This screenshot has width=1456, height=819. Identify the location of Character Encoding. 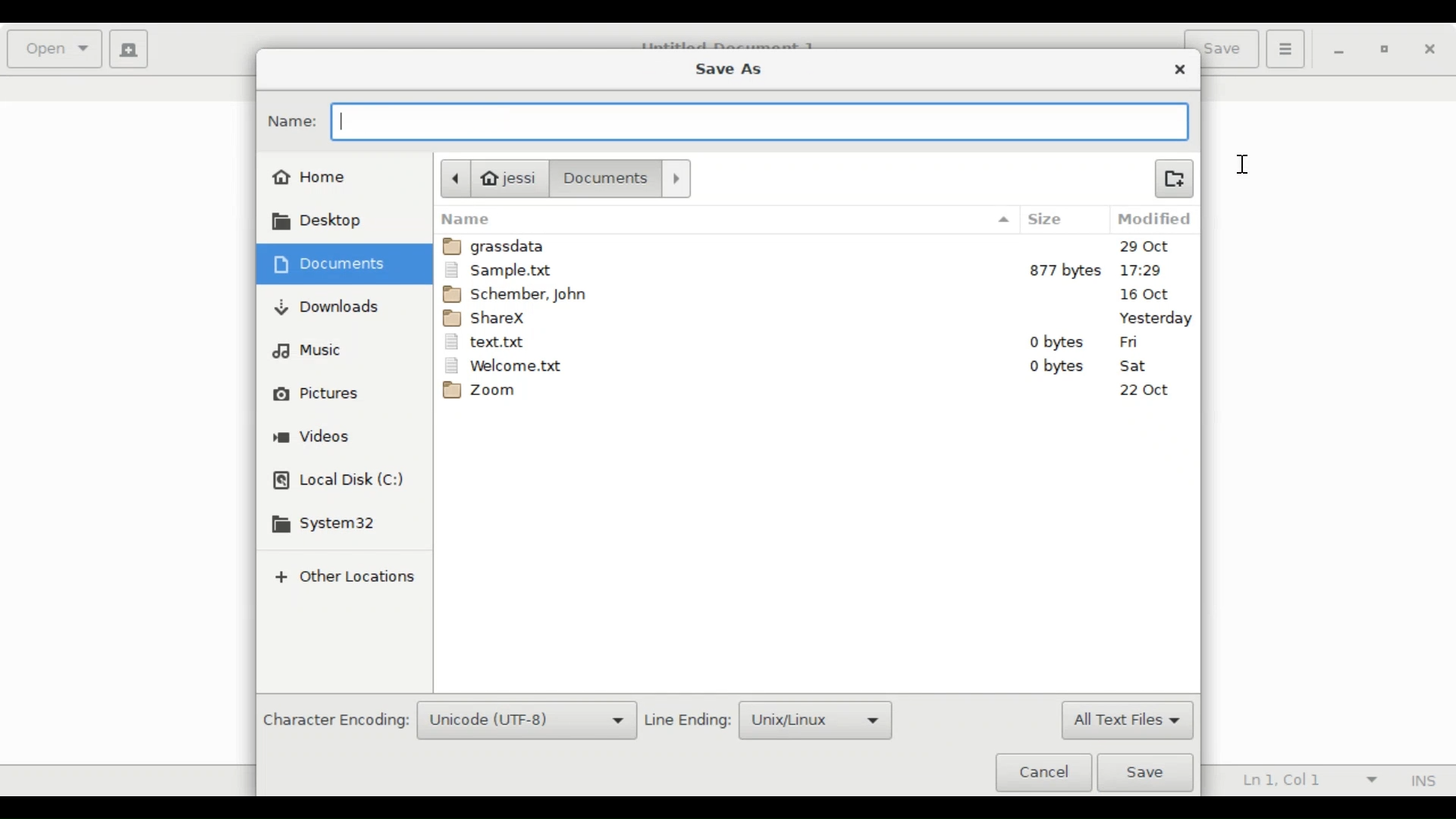
(334, 721).